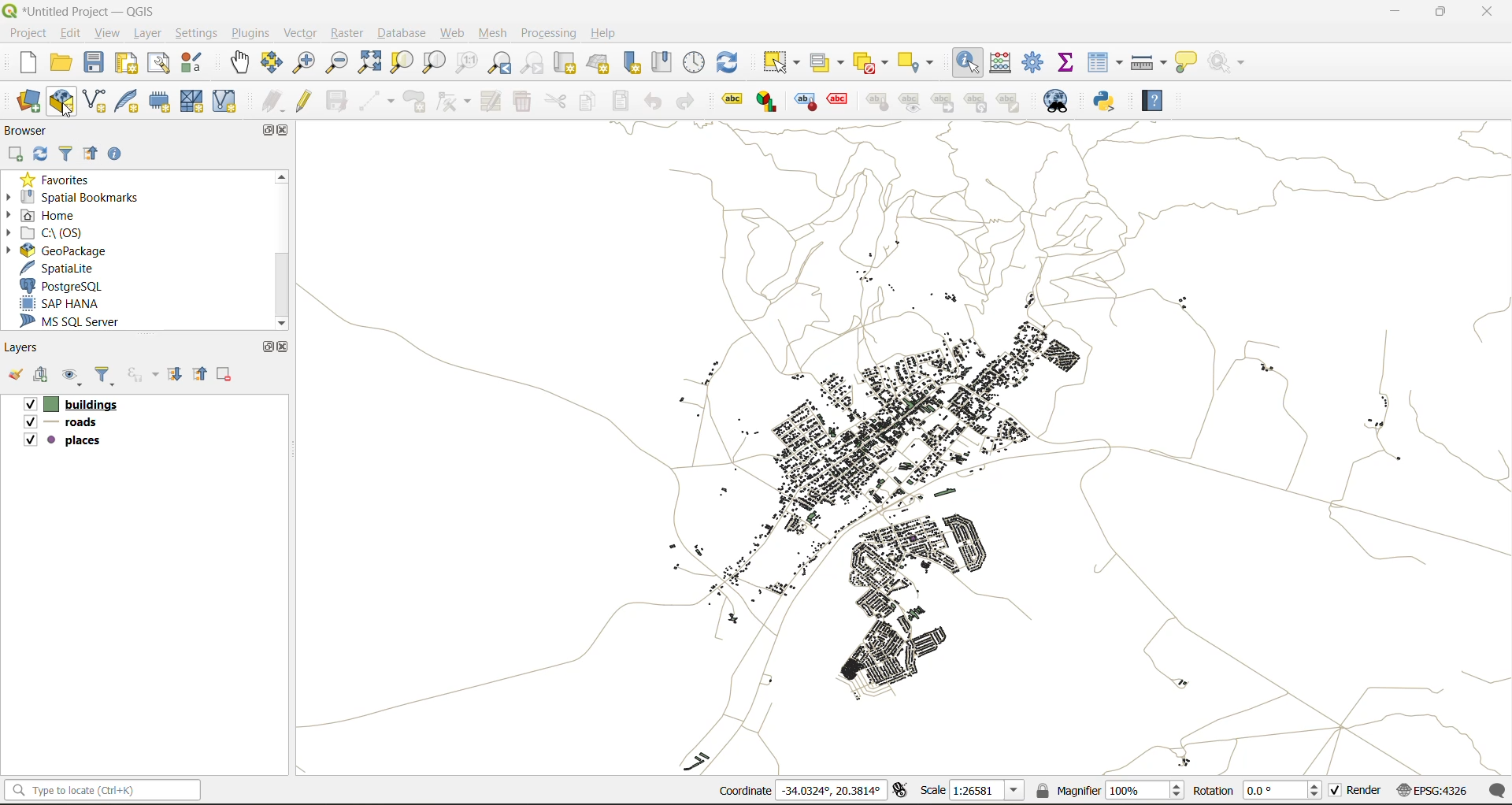 This screenshot has height=805, width=1512. Describe the element at coordinates (335, 65) in the screenshot. I see `zoom out` at that location.